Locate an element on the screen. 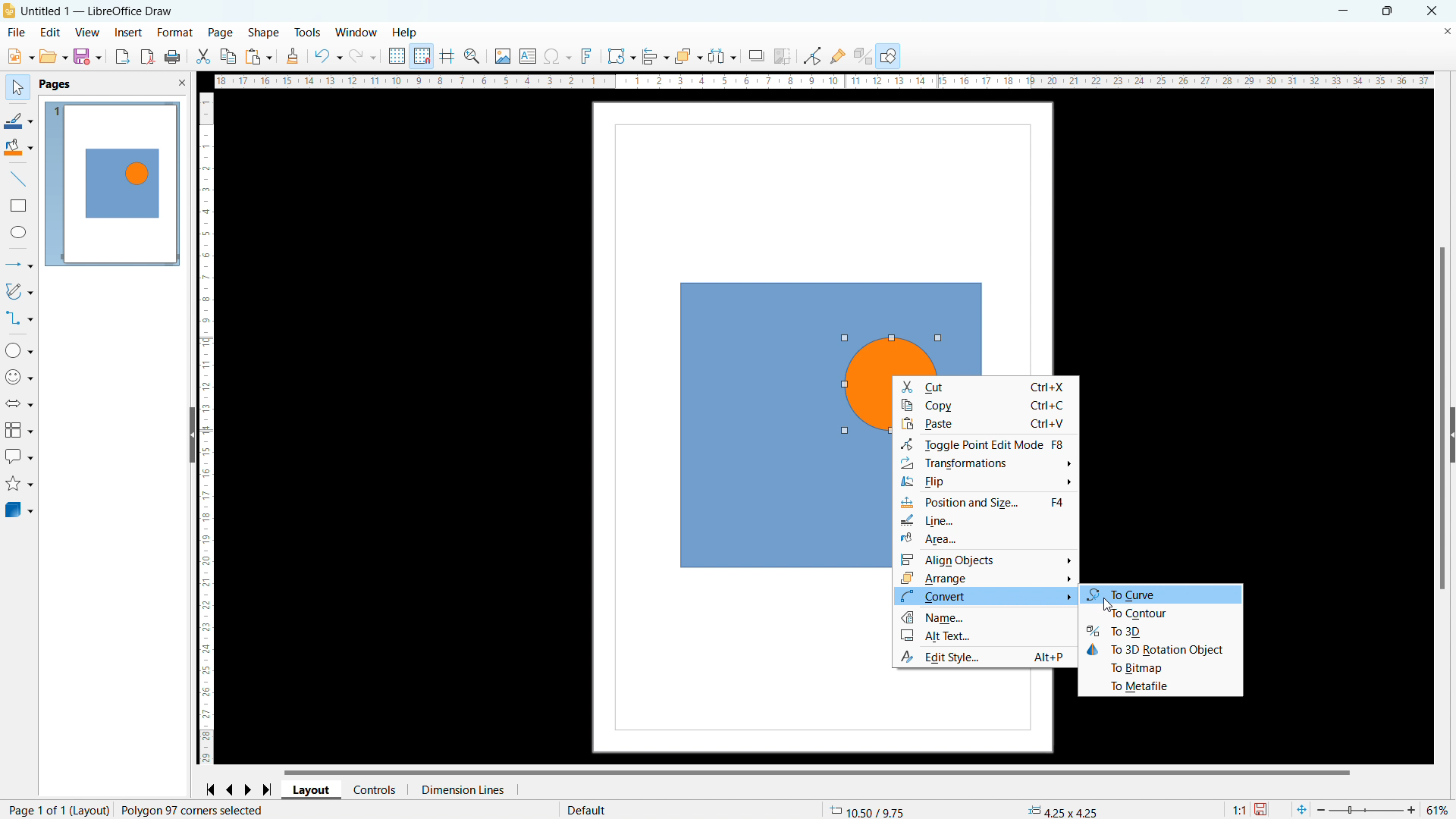 The image size is (1456, 819). Alt Text... is located at coordinates (958, 635).